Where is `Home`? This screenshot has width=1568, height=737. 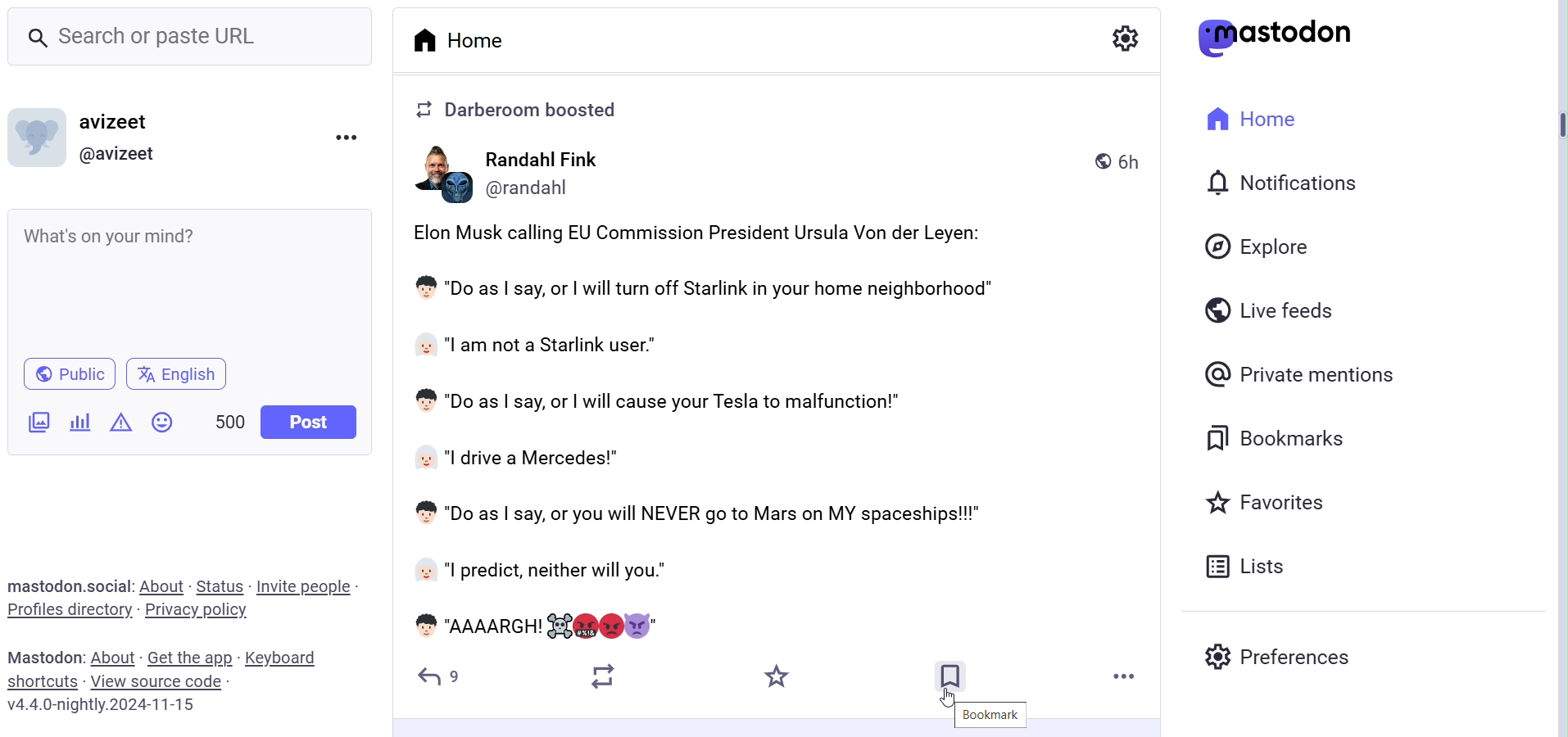
Home is located at coordinates (1249, 117).